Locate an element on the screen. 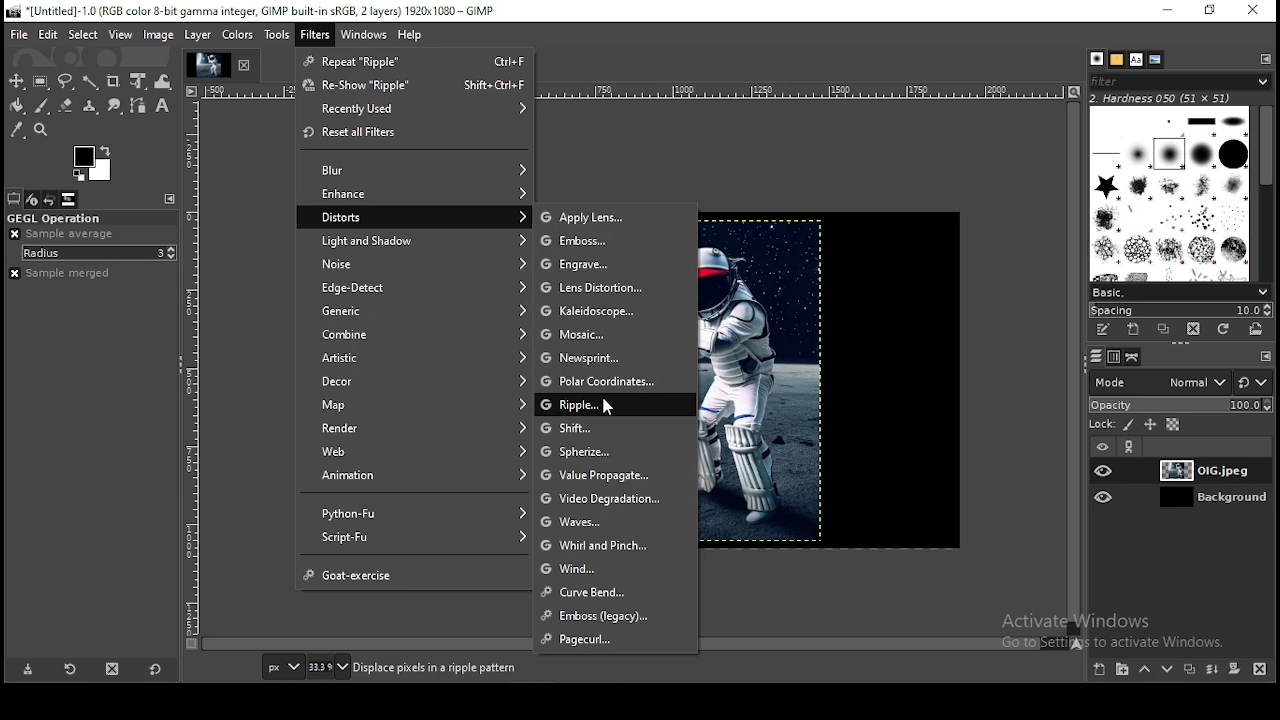 The image size is (1280, 720). create a new layer group is located at coordinates (1125, 669).